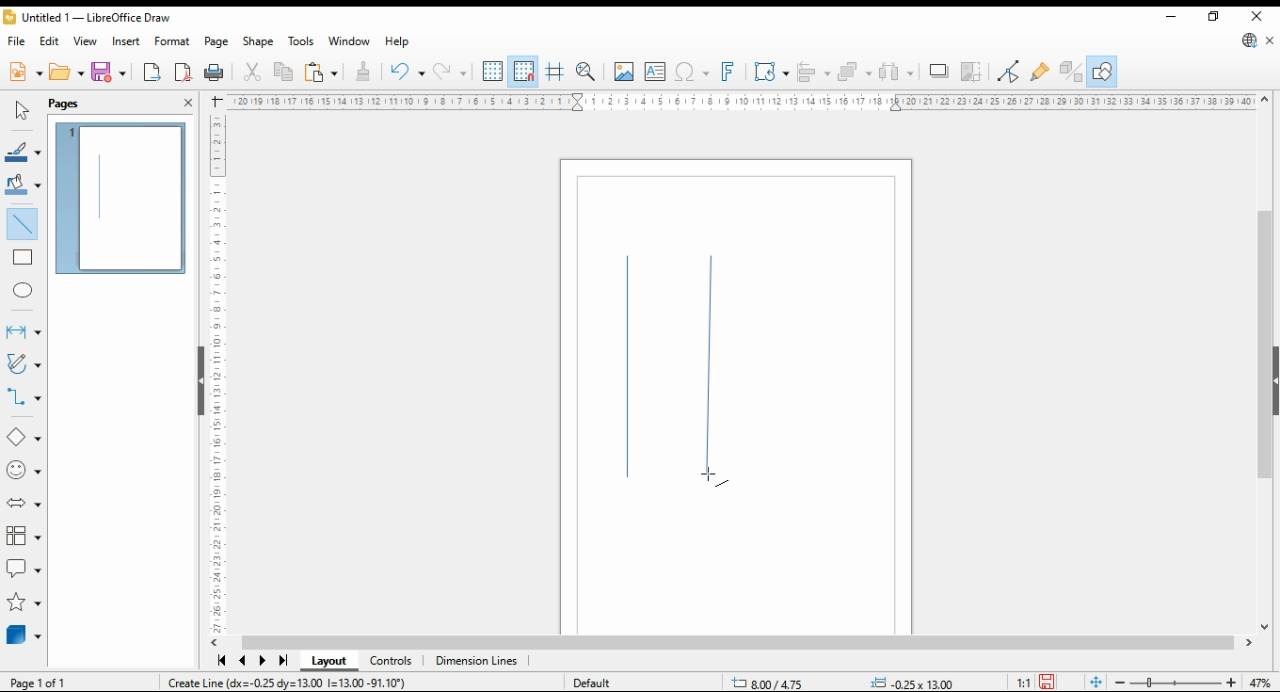 Image resolution: width=1280 pixels, height=692 pixels. I want to click on show extrusions, so click(1070, 71).